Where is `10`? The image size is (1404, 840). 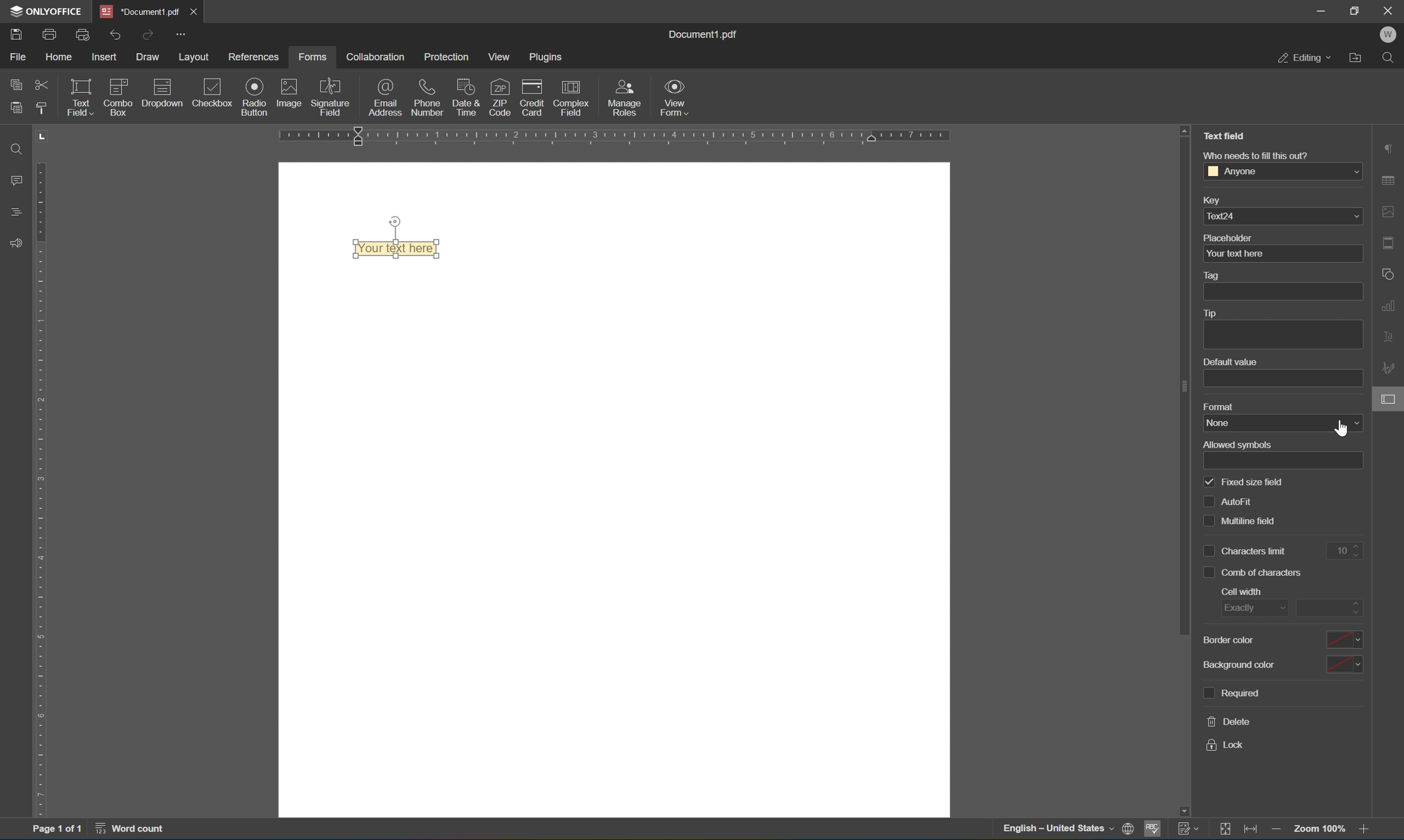
10 is located at coordinates (1343, 552).